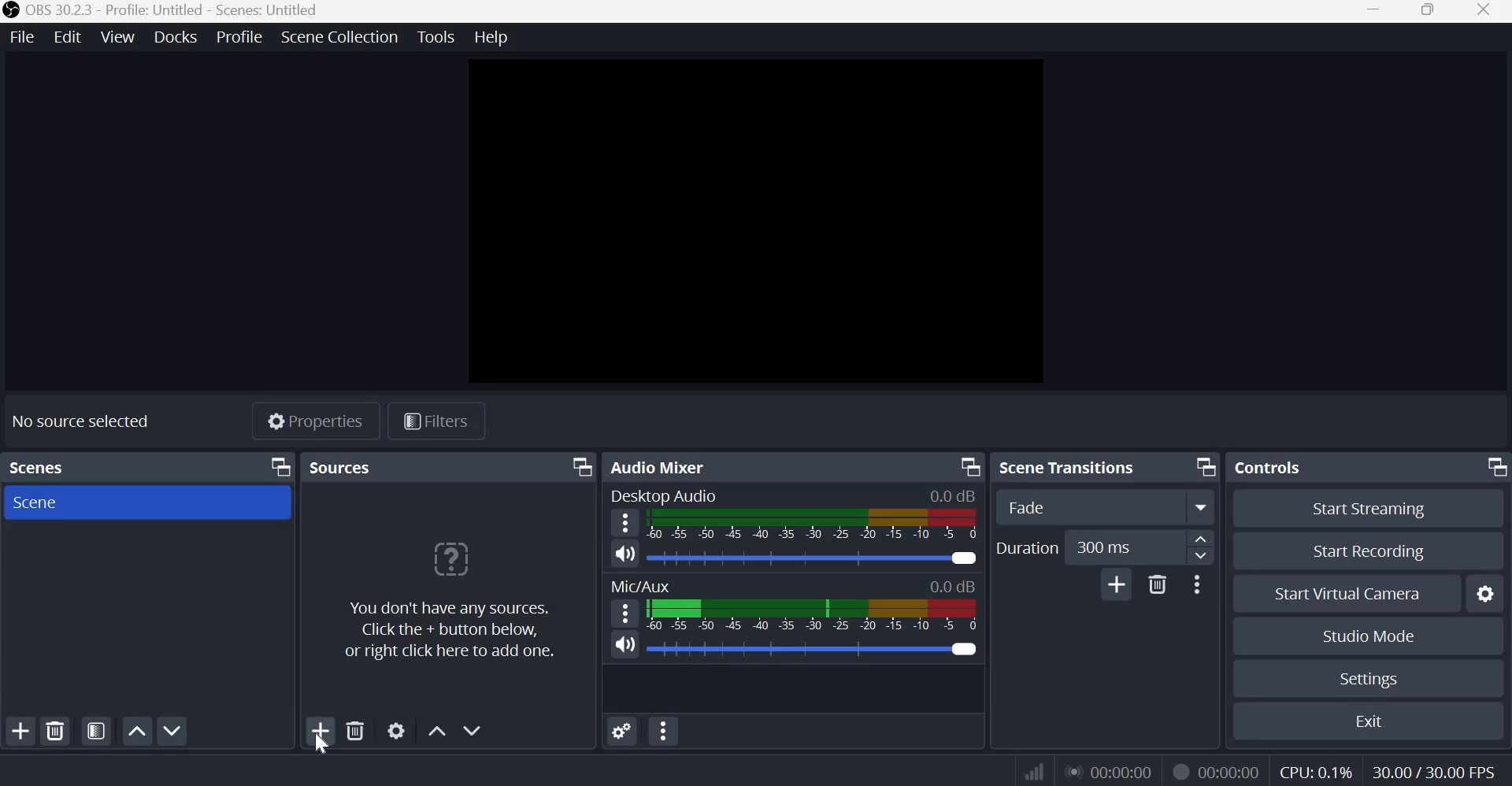  Describe the element at coordinates (1364, 552) in the screenshot. I see `Start recording` at that location.